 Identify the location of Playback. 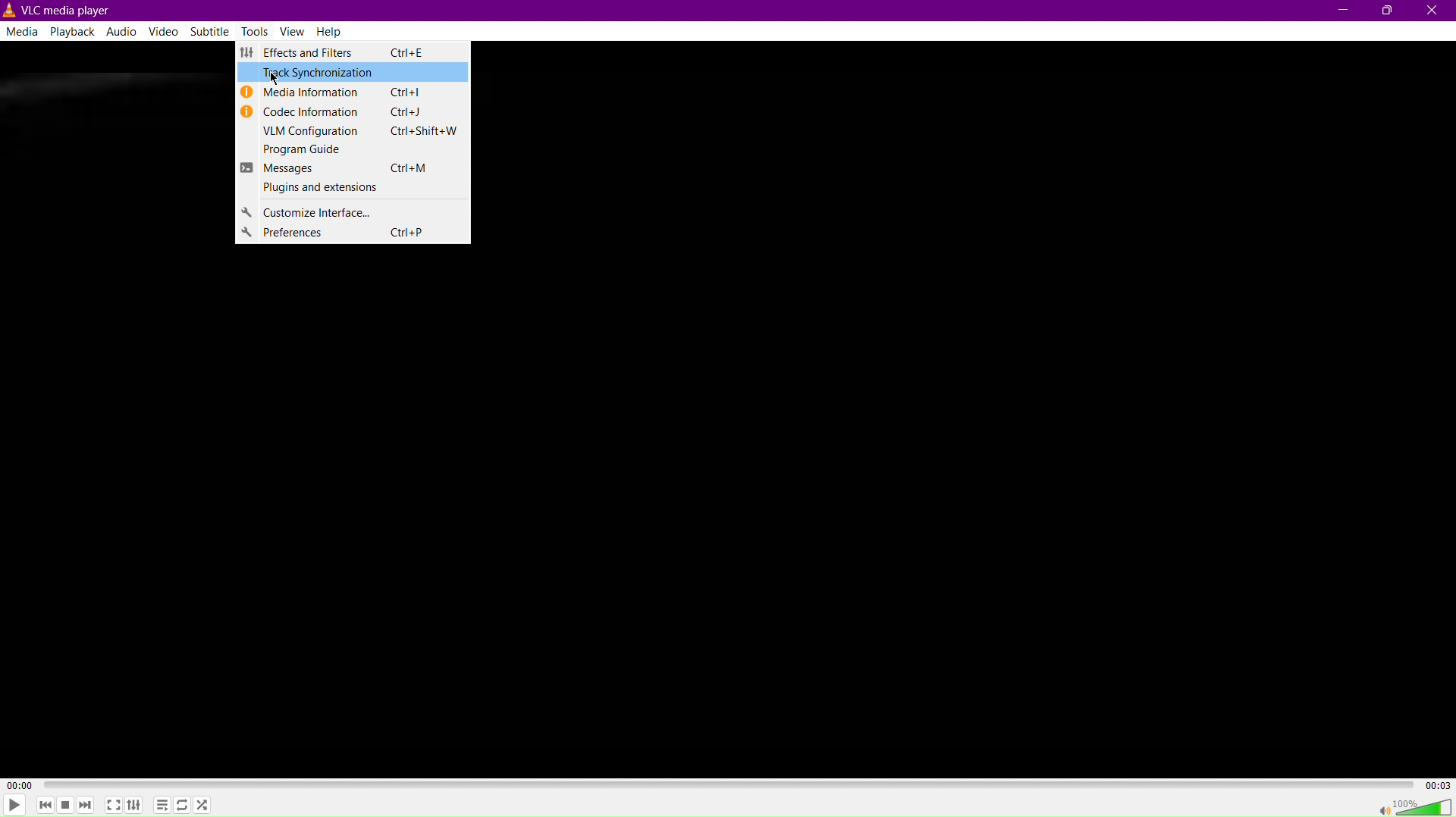
(74, 33).